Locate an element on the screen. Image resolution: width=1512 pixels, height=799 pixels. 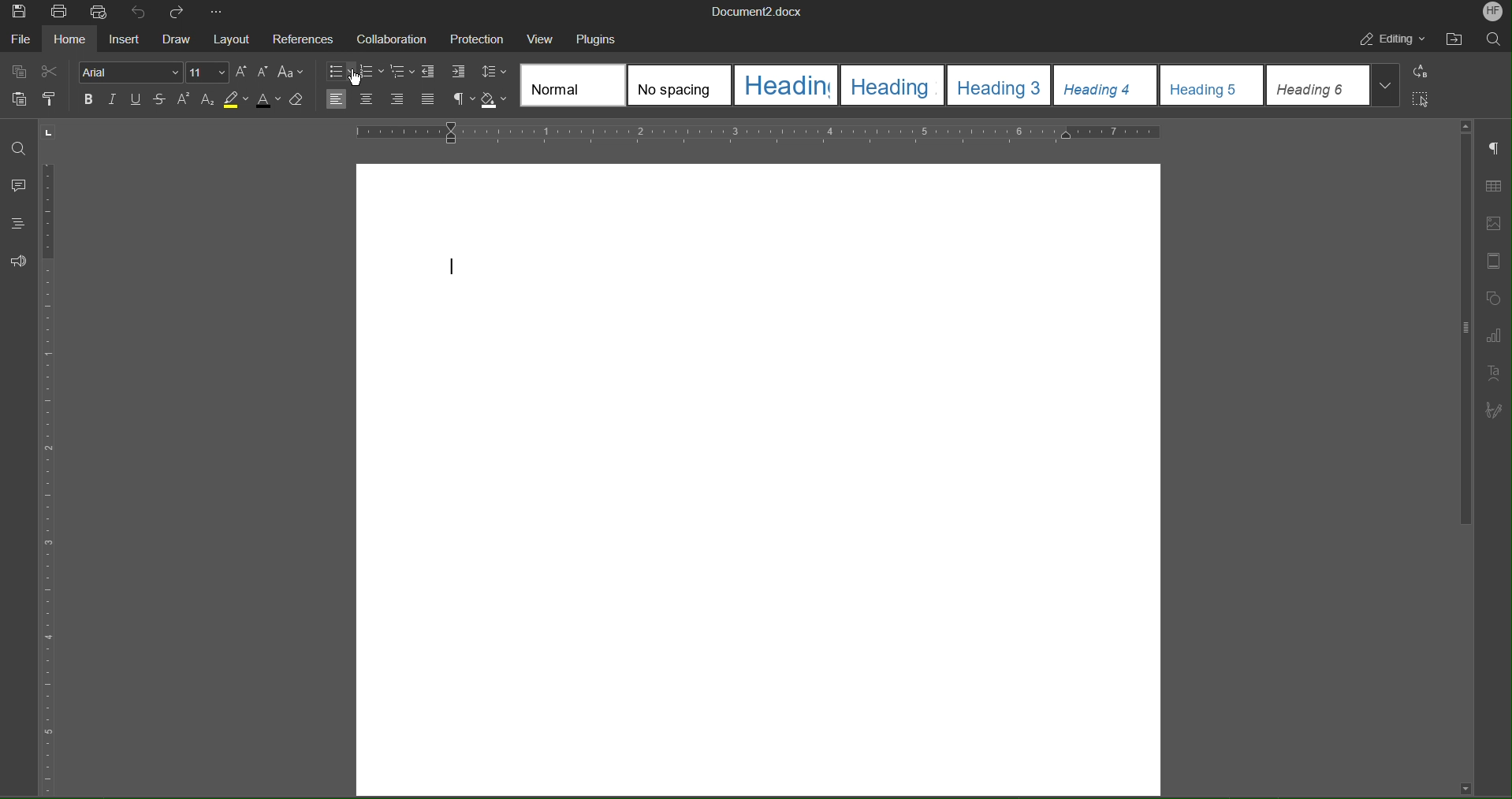
Insert is located at coordinates (125, 40).